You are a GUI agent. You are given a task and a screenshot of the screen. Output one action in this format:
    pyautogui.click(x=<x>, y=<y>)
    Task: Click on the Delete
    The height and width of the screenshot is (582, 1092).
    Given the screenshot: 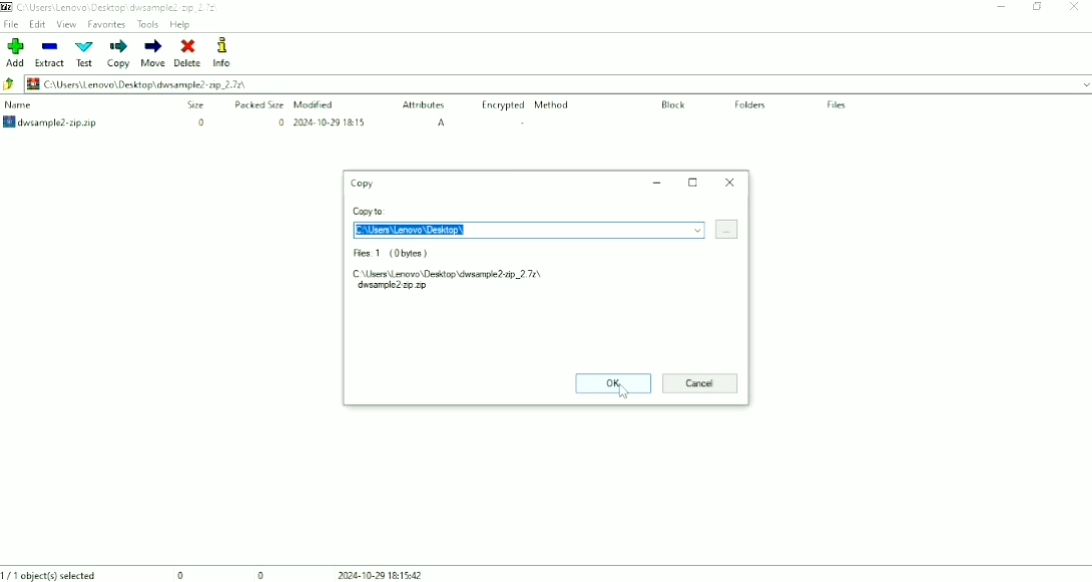 What is the action you would take?
    pyautogui.click(x=187, y=53)
    